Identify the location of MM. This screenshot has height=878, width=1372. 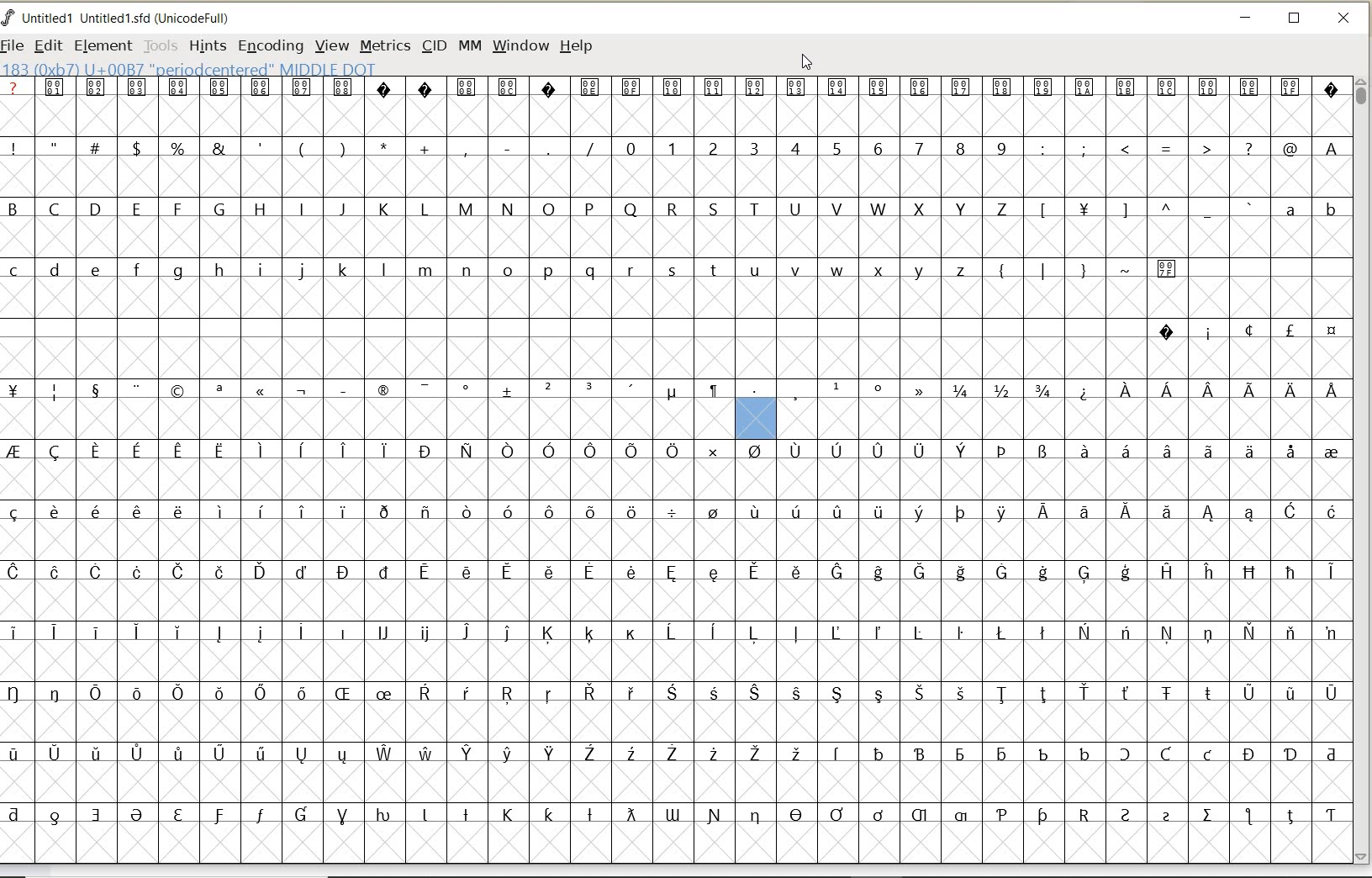
(470, 46).